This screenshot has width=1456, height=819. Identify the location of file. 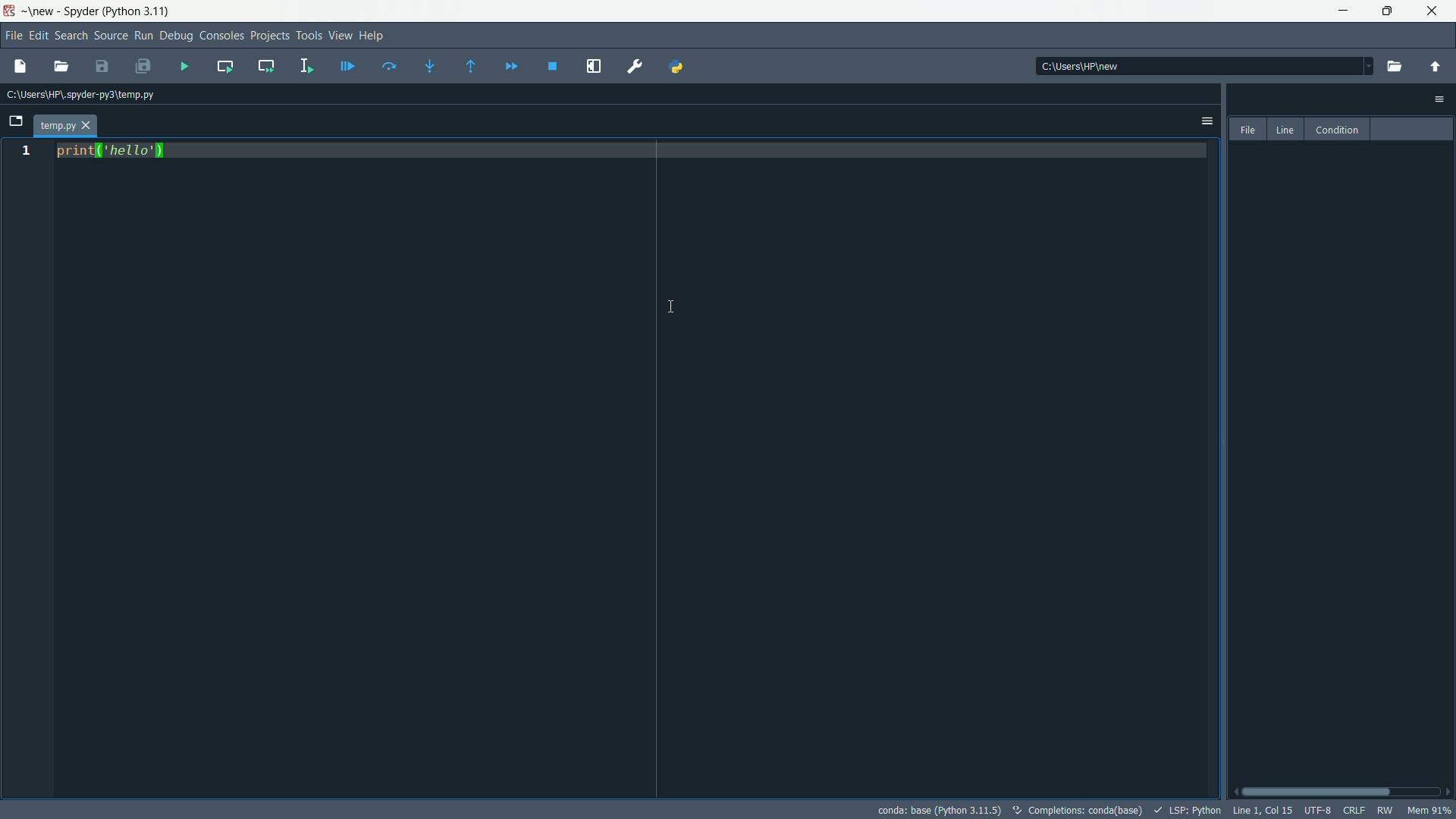
(1249, 130).